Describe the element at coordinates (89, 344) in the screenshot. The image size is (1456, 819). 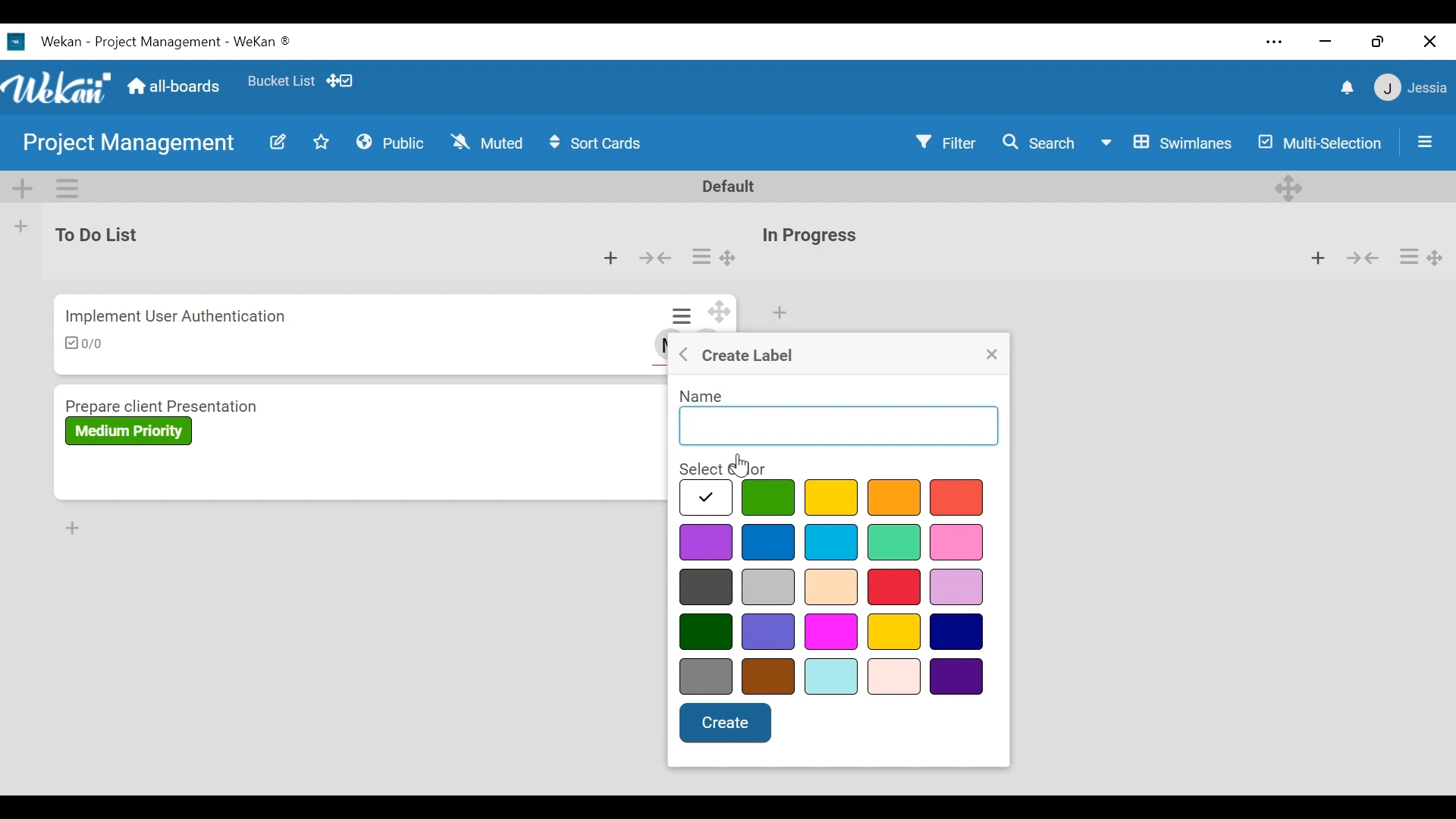
I see `Checklist` at that location.